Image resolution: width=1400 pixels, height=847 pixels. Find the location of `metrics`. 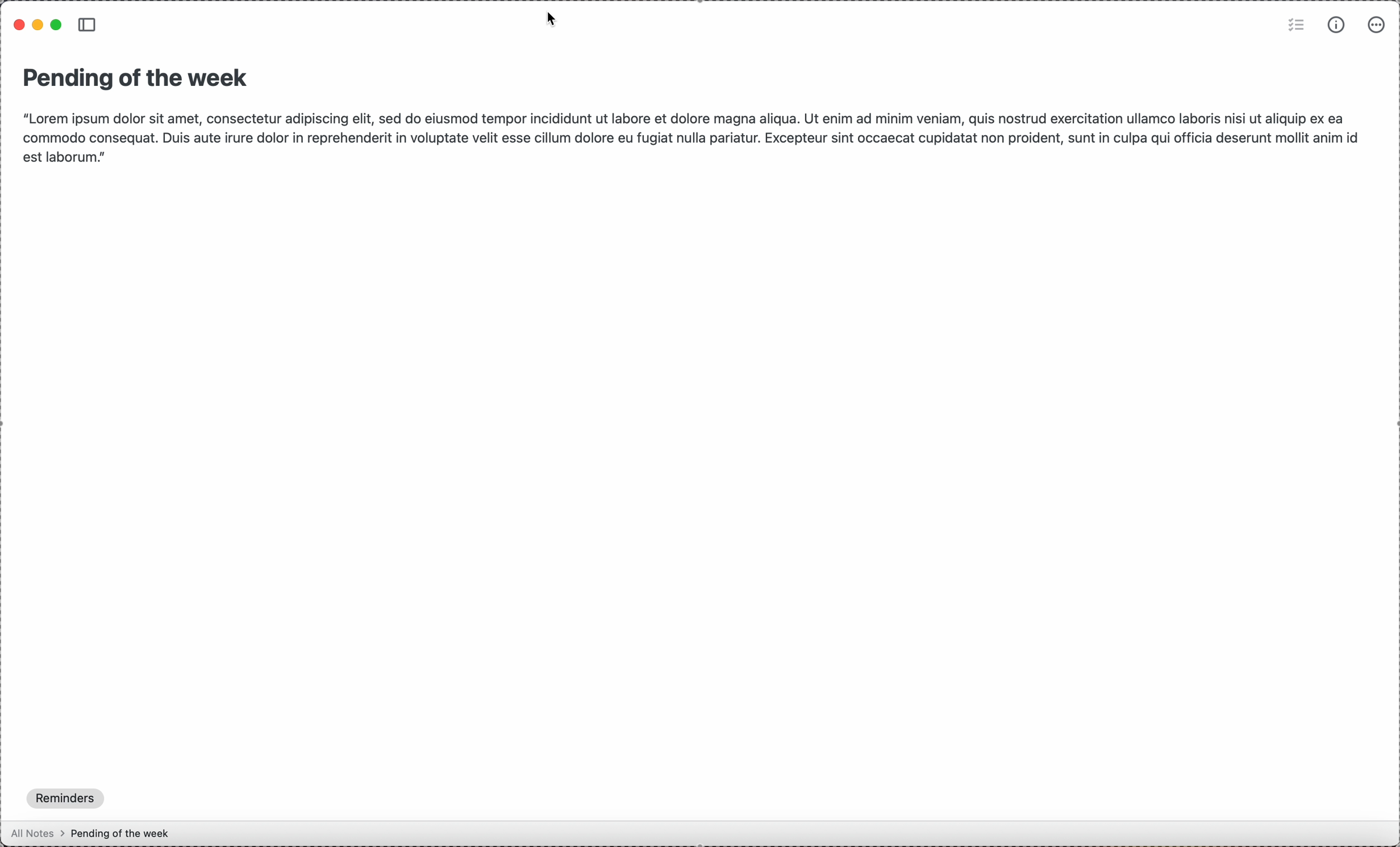

metrics is located at coordinates (1337, 27).